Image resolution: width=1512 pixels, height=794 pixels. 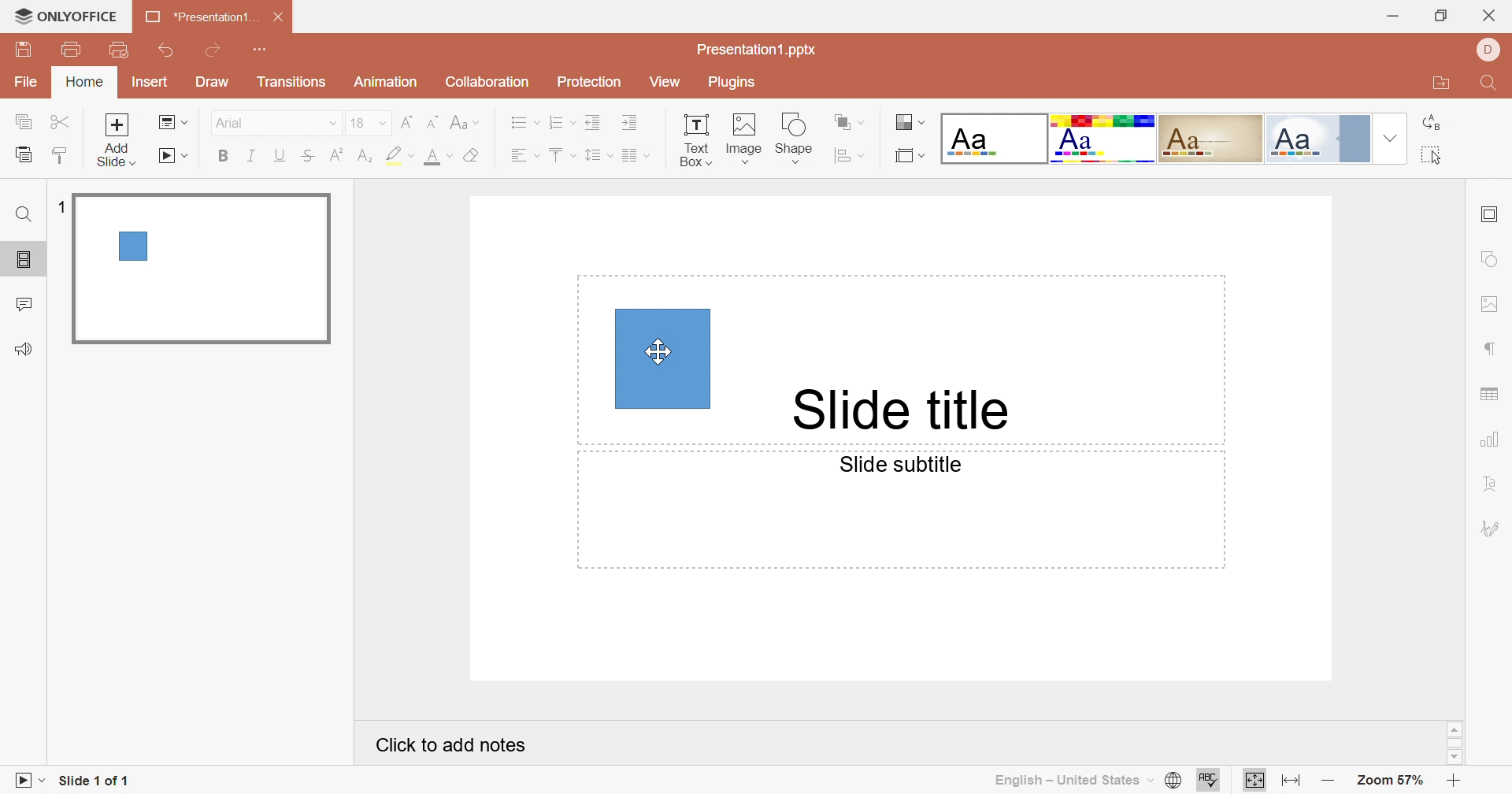 I want to click on Bullets, so click(x=525, y=124).